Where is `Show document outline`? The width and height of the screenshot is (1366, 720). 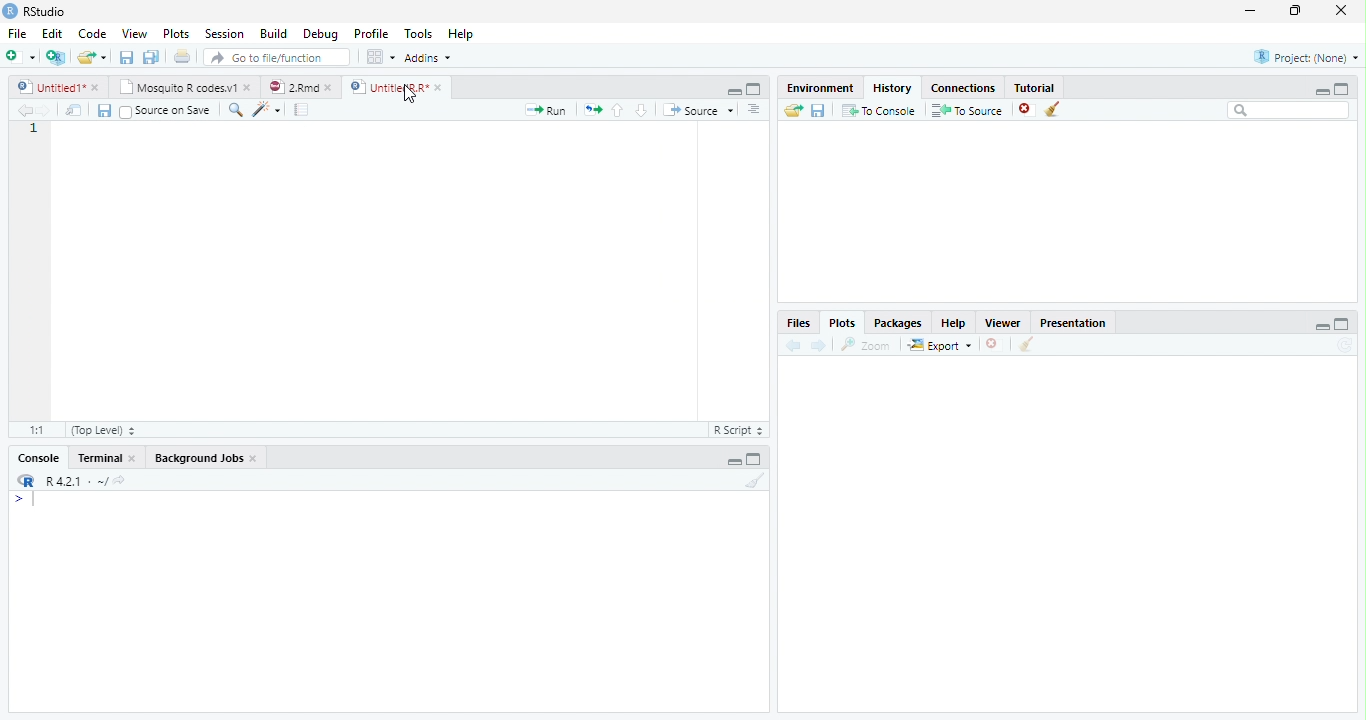 Show document outline is located at coordinates (754, 109).